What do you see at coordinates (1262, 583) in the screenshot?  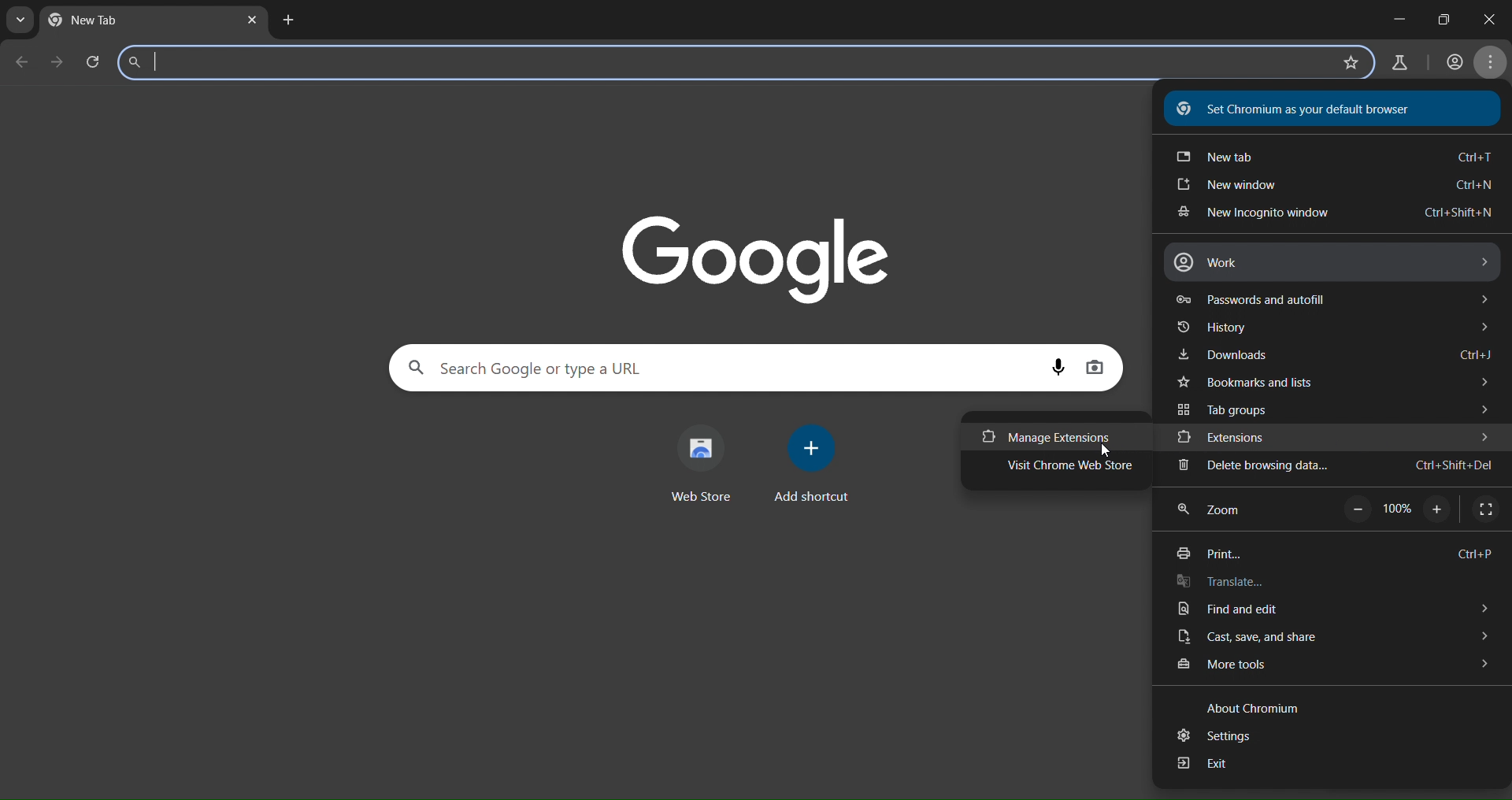 I see `translate` at bounding box center [1262, 583].